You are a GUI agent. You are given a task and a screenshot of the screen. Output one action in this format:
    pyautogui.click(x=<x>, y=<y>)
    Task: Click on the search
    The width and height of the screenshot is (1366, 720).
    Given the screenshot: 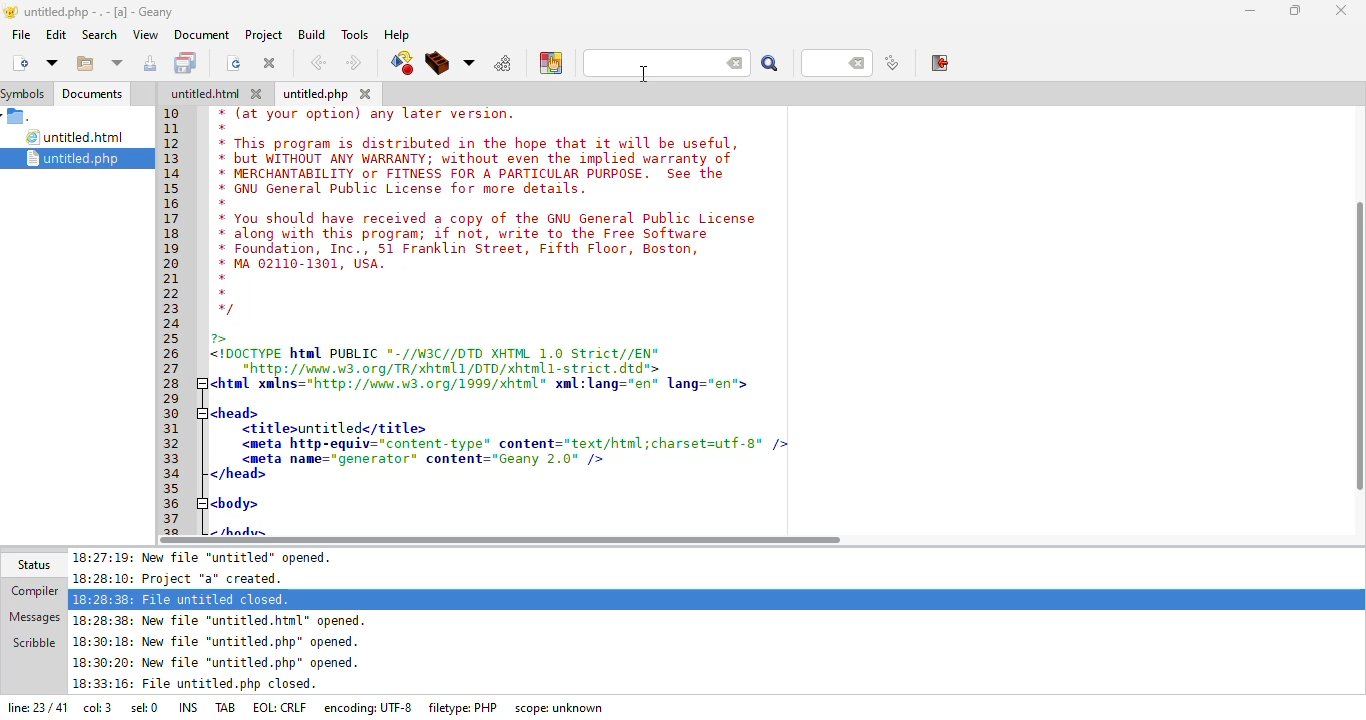 What is the action you would take?
    pyautogui.click(x=99, y=35)
    